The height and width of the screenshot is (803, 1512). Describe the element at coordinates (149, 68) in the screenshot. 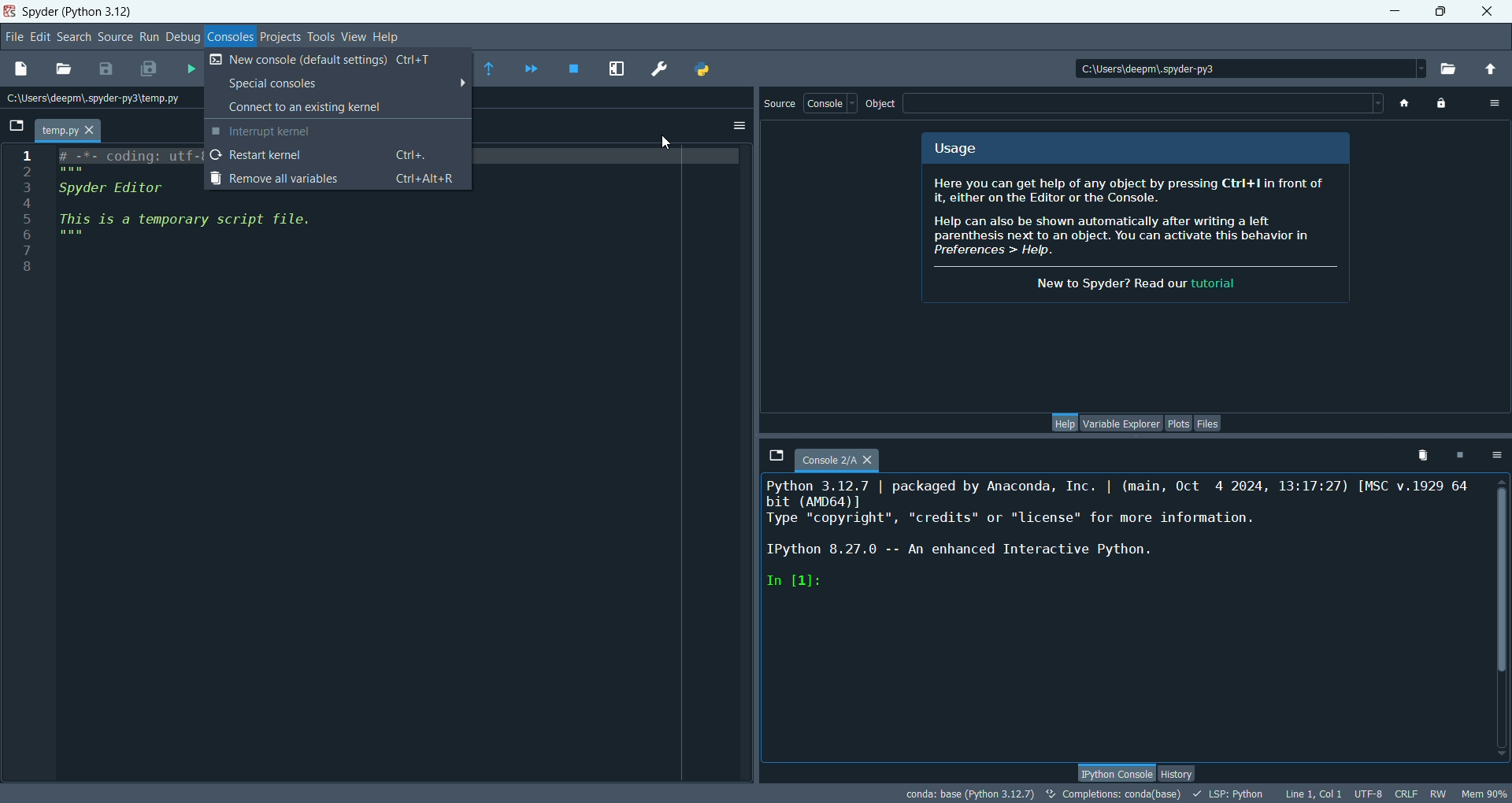

I see `save all files` at that location.